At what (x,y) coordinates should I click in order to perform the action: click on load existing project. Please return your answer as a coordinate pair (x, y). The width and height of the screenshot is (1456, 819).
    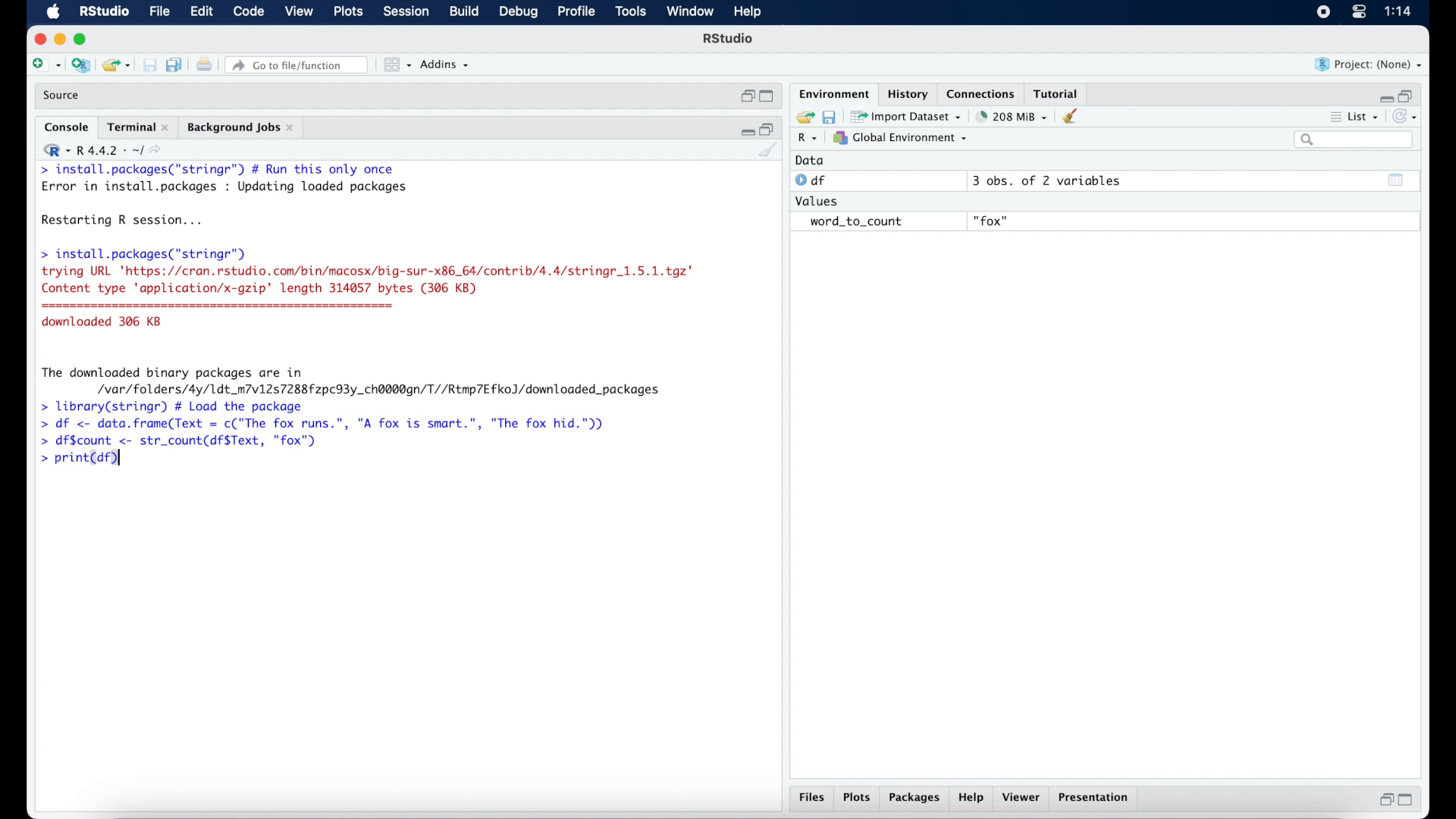
    Looking at the image, I should click on (119, 66).